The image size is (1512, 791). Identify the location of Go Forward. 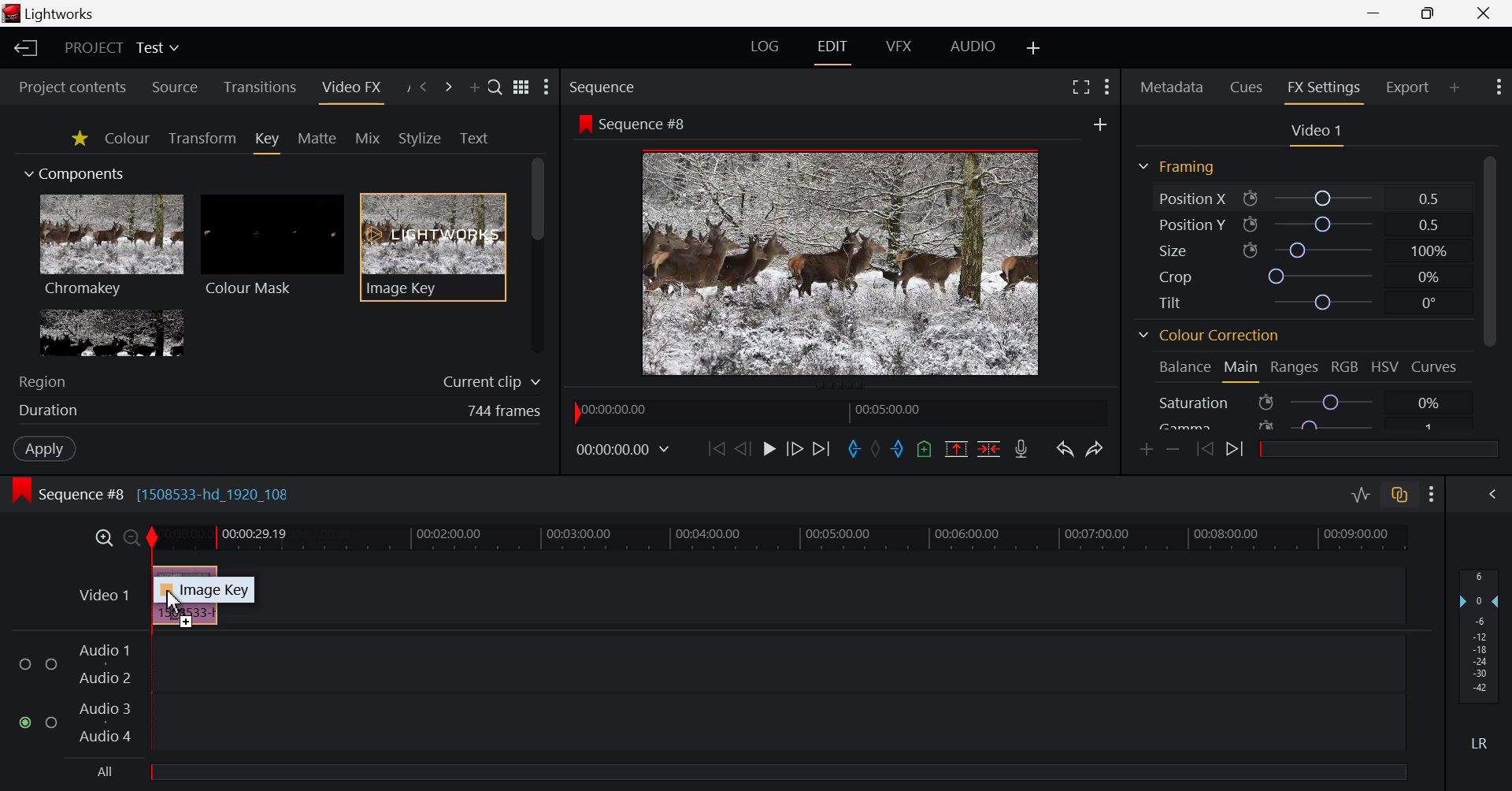
(795, 448).